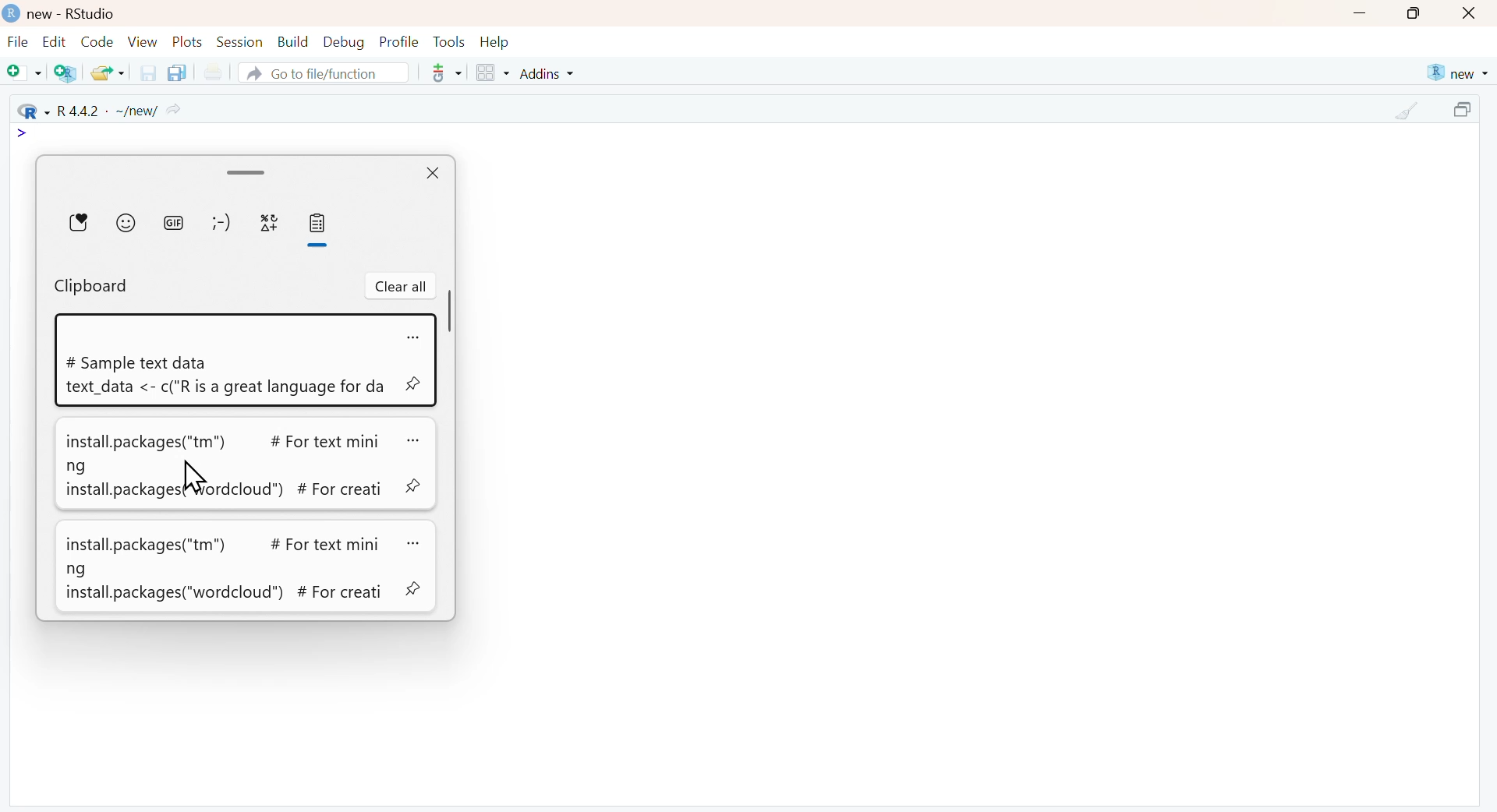  I want to click on Session, so click(242, 42).